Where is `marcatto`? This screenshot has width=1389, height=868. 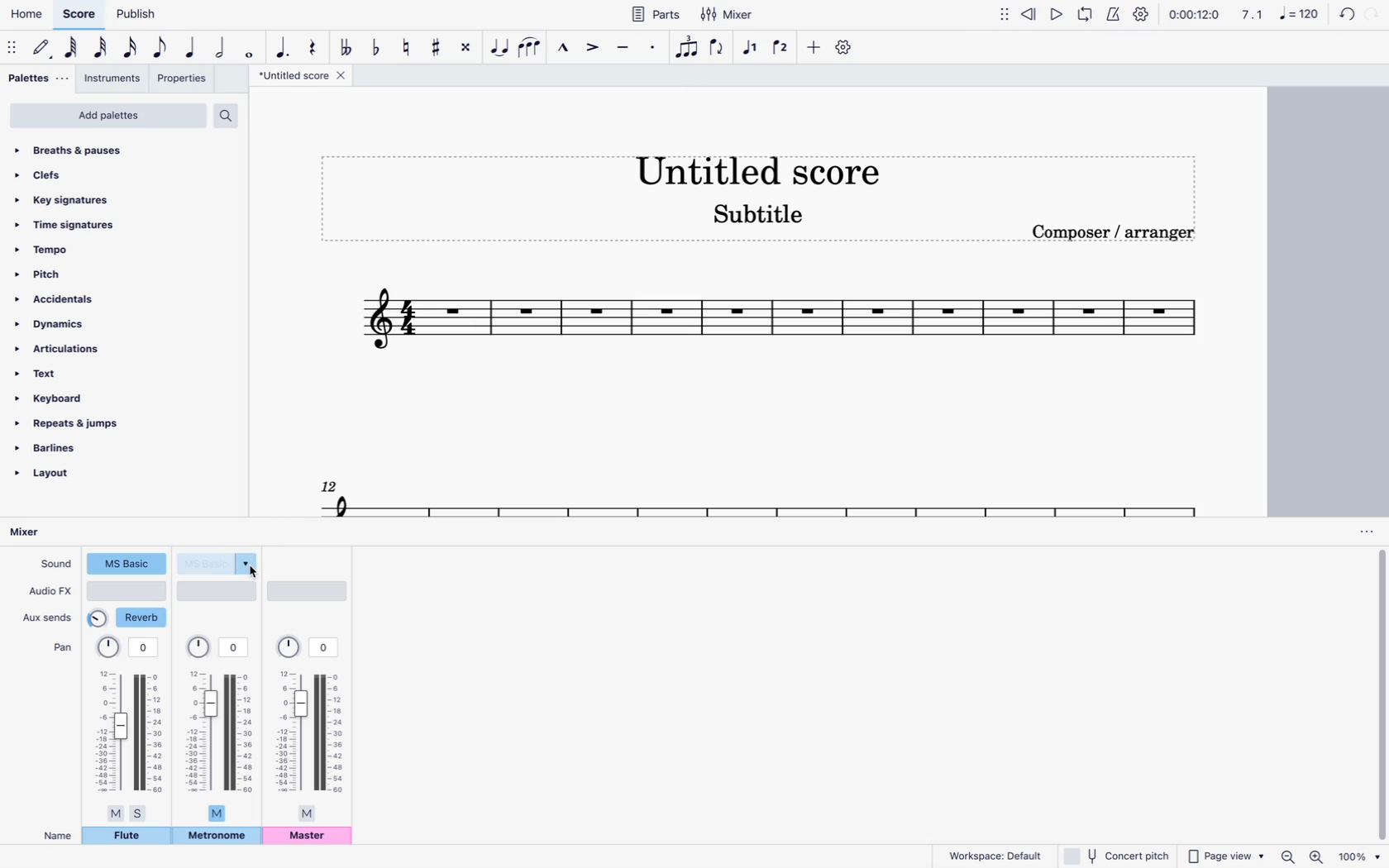
marcatto is located at coordinates (563, 49).